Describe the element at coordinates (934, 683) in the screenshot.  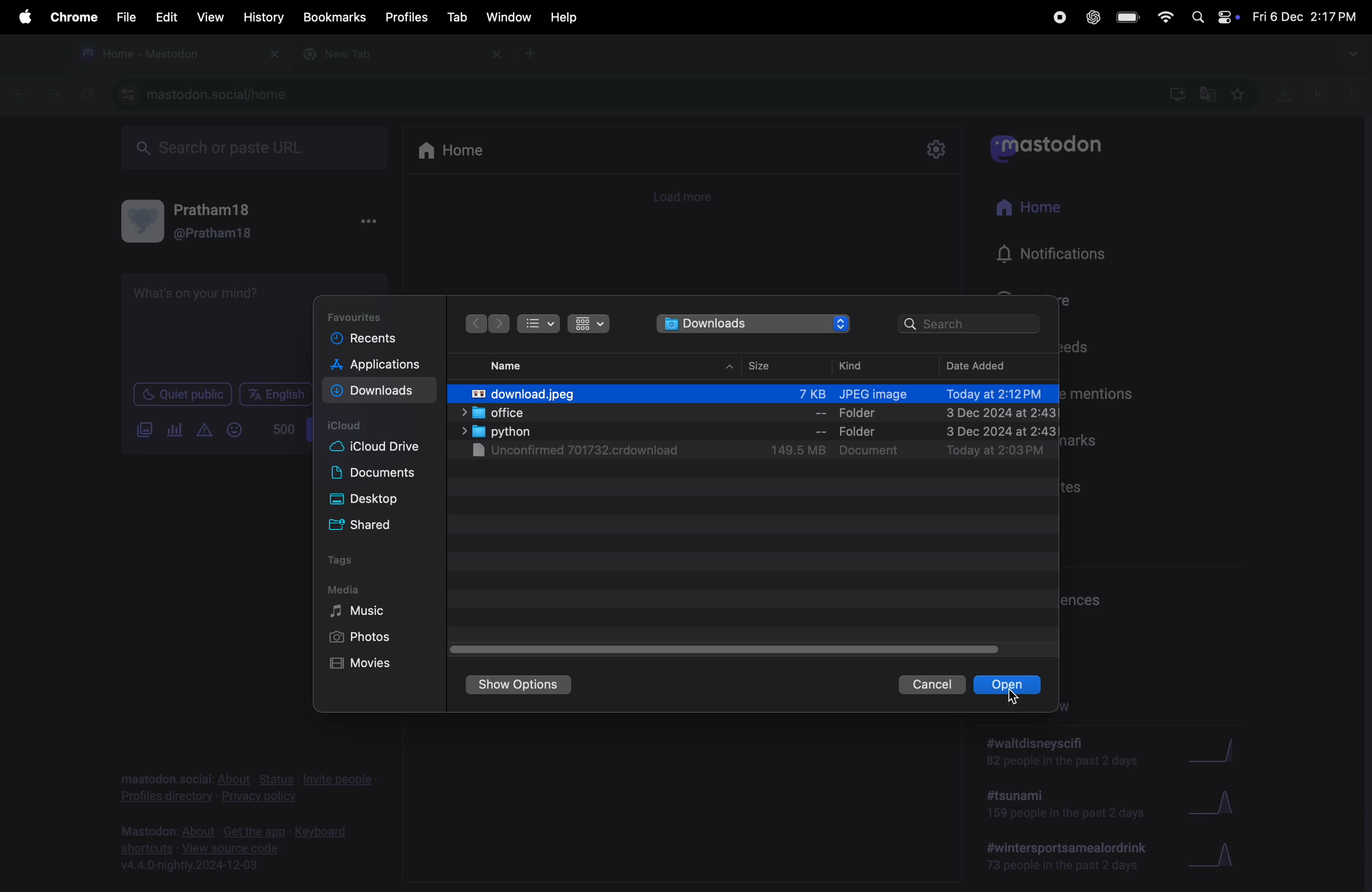
I see `cancel` at that location.